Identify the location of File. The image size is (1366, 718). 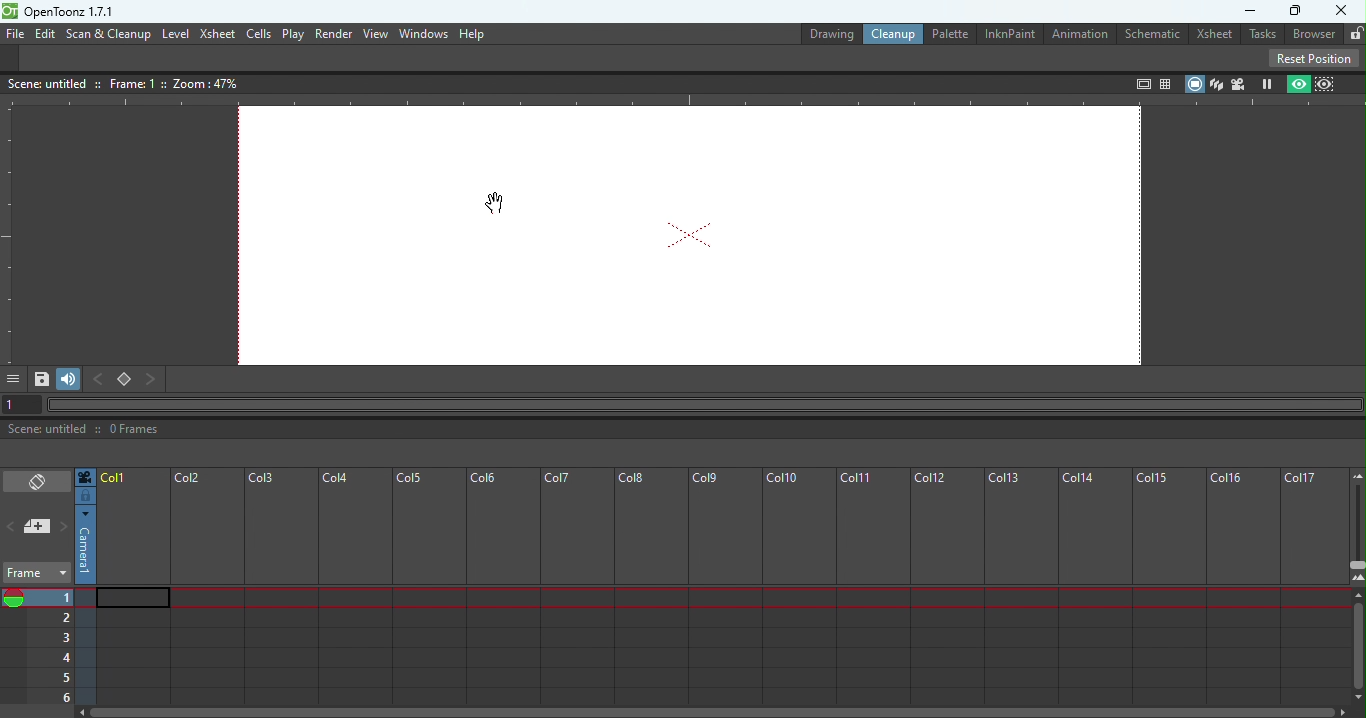
(13, 34).